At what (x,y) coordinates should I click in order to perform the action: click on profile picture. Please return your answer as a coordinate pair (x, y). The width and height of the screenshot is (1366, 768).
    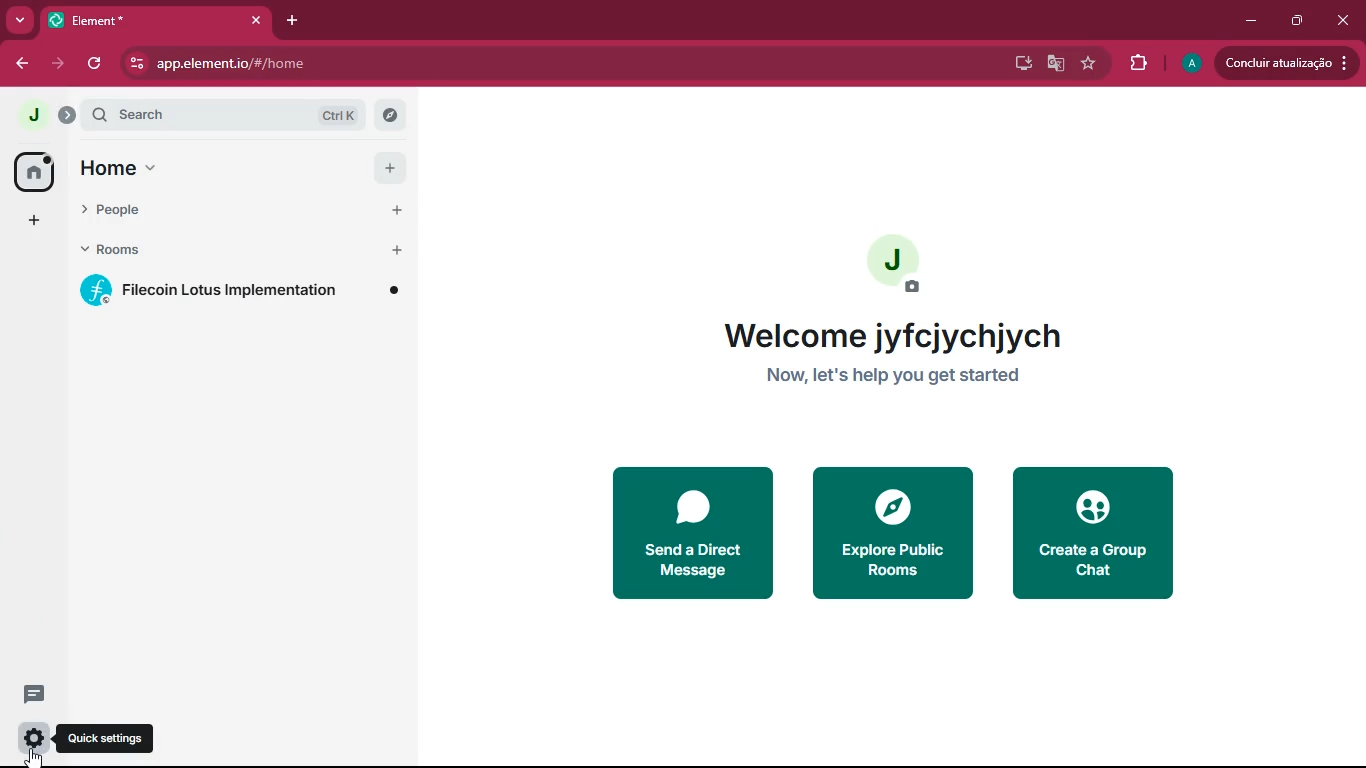
    Looking at the image, I should click on (33, 114).